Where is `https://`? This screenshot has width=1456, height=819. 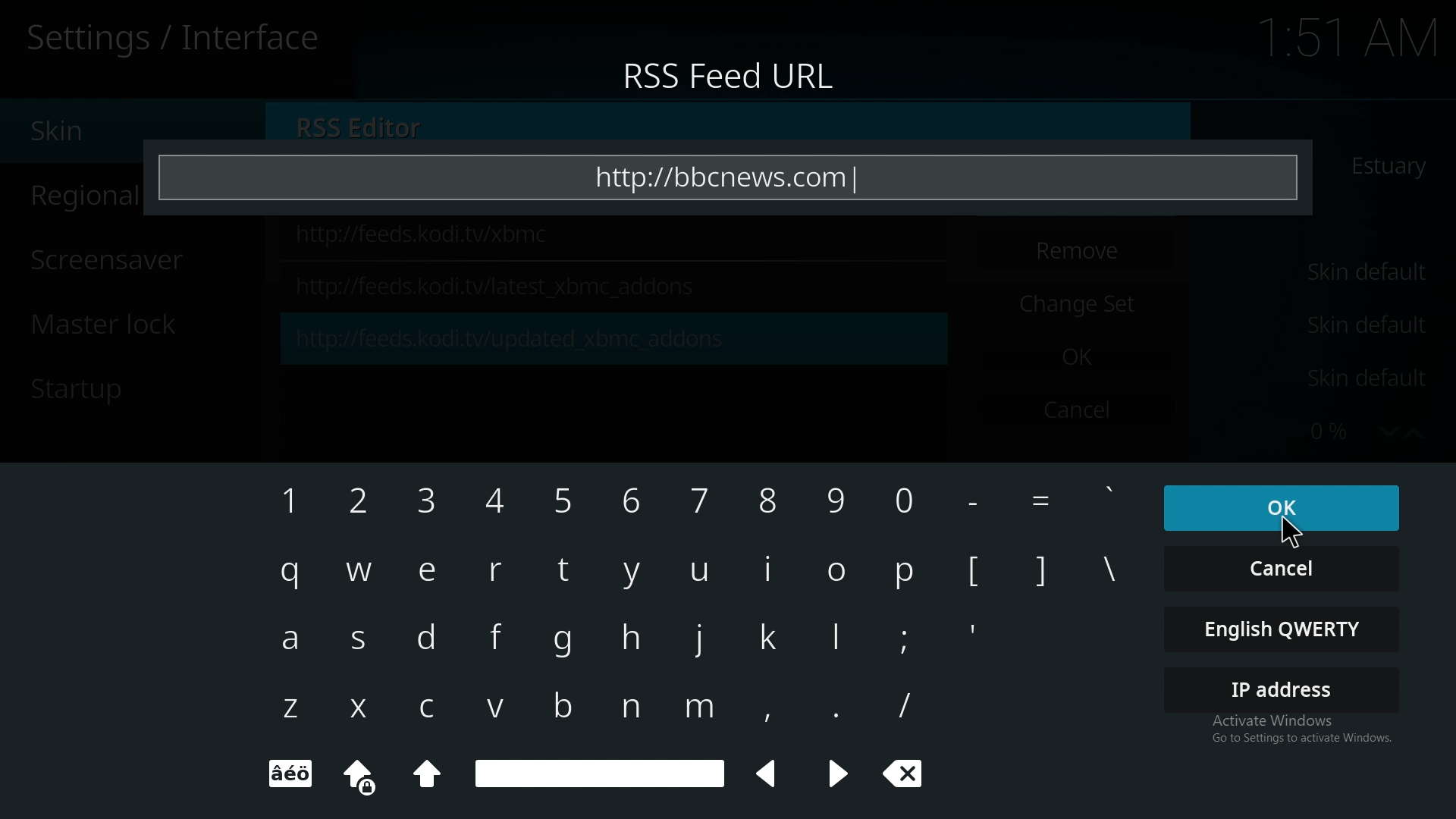
https:// is located at coordinates (739, 176).